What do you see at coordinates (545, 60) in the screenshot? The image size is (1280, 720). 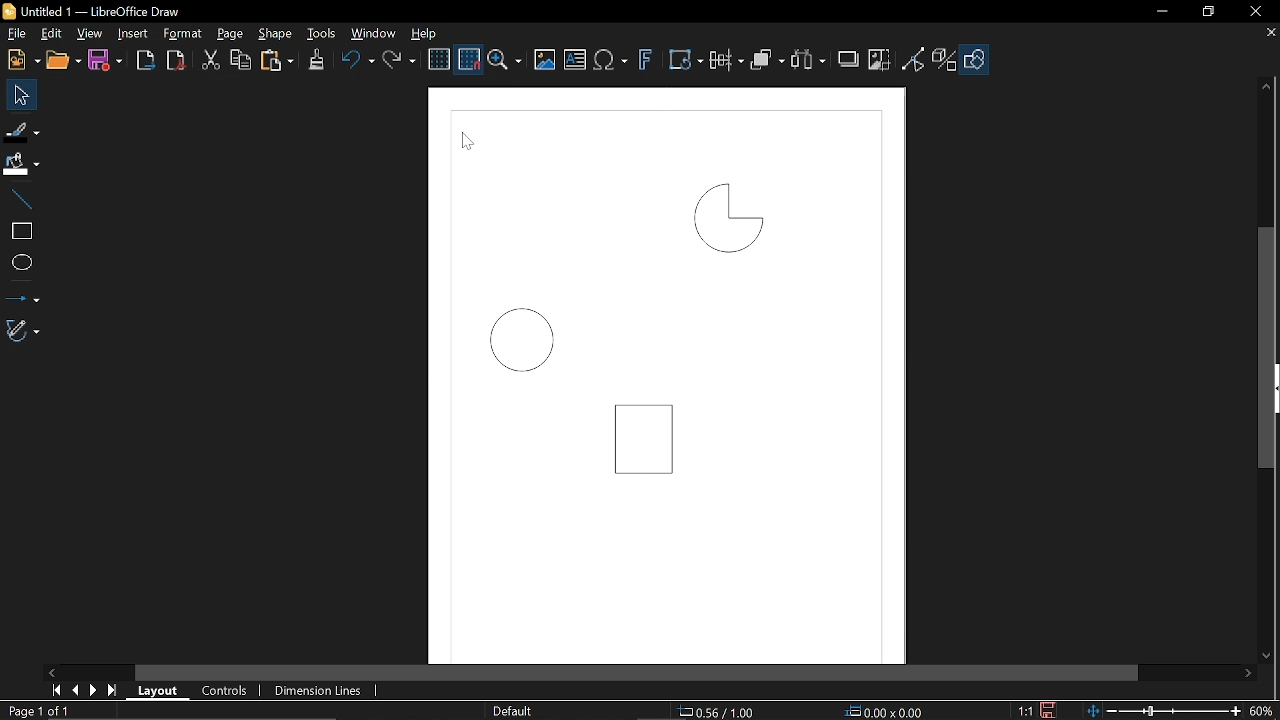 I see `Insert image` at bounding box center [545, 60].